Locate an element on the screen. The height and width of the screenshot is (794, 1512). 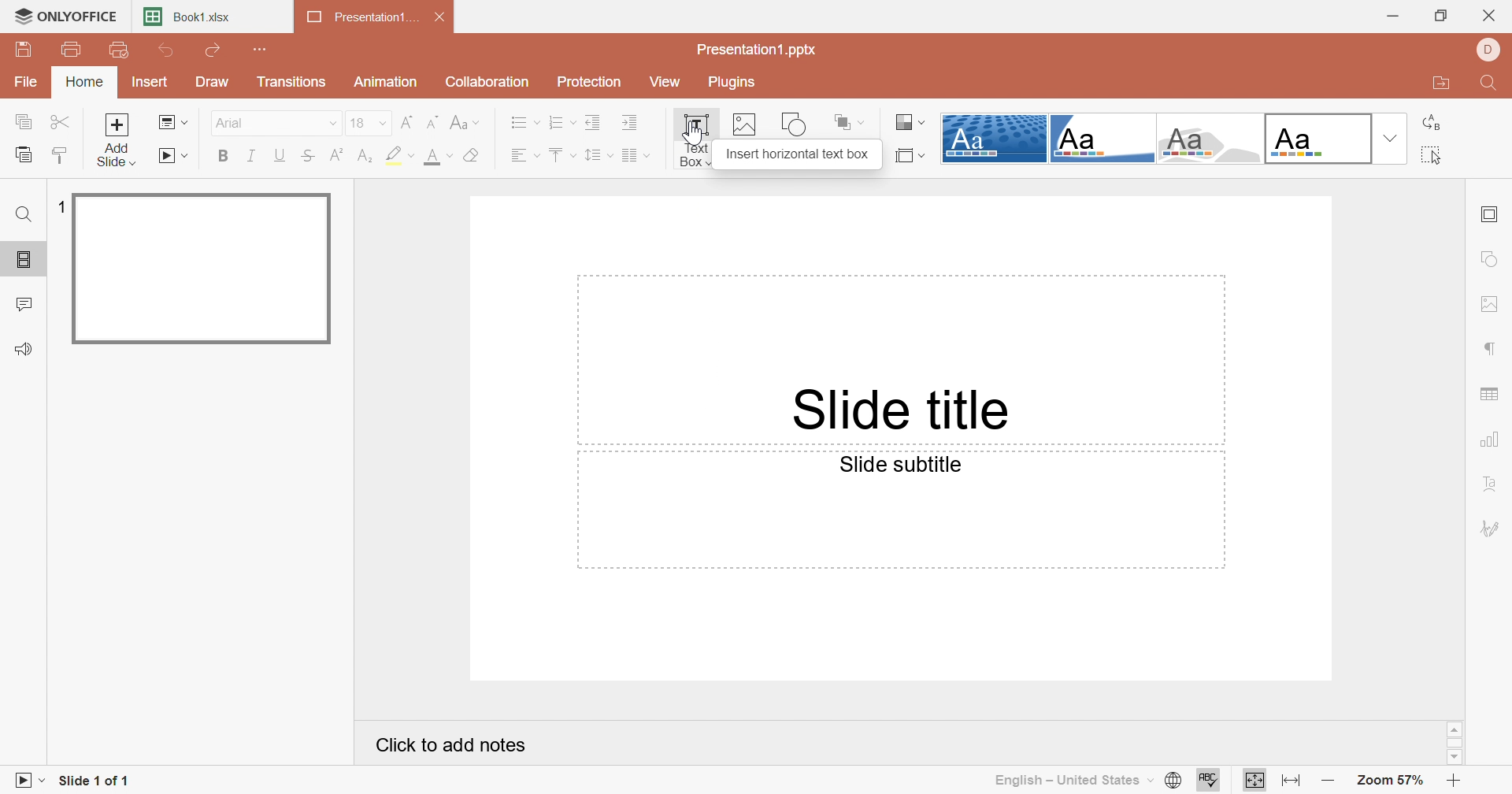
Slide is located at coordinates (201, 268).